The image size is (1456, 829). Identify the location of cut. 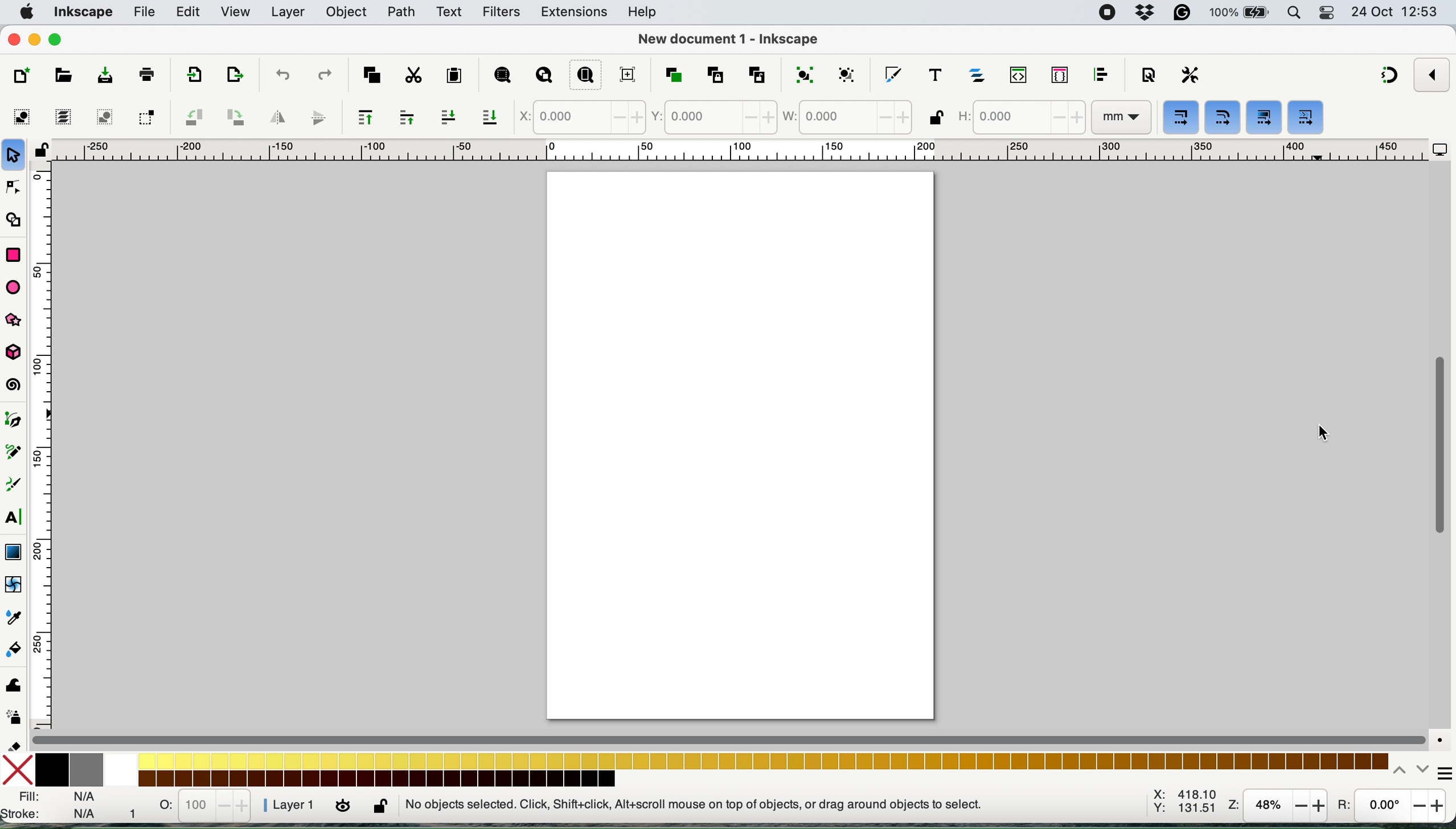
(412, 76).